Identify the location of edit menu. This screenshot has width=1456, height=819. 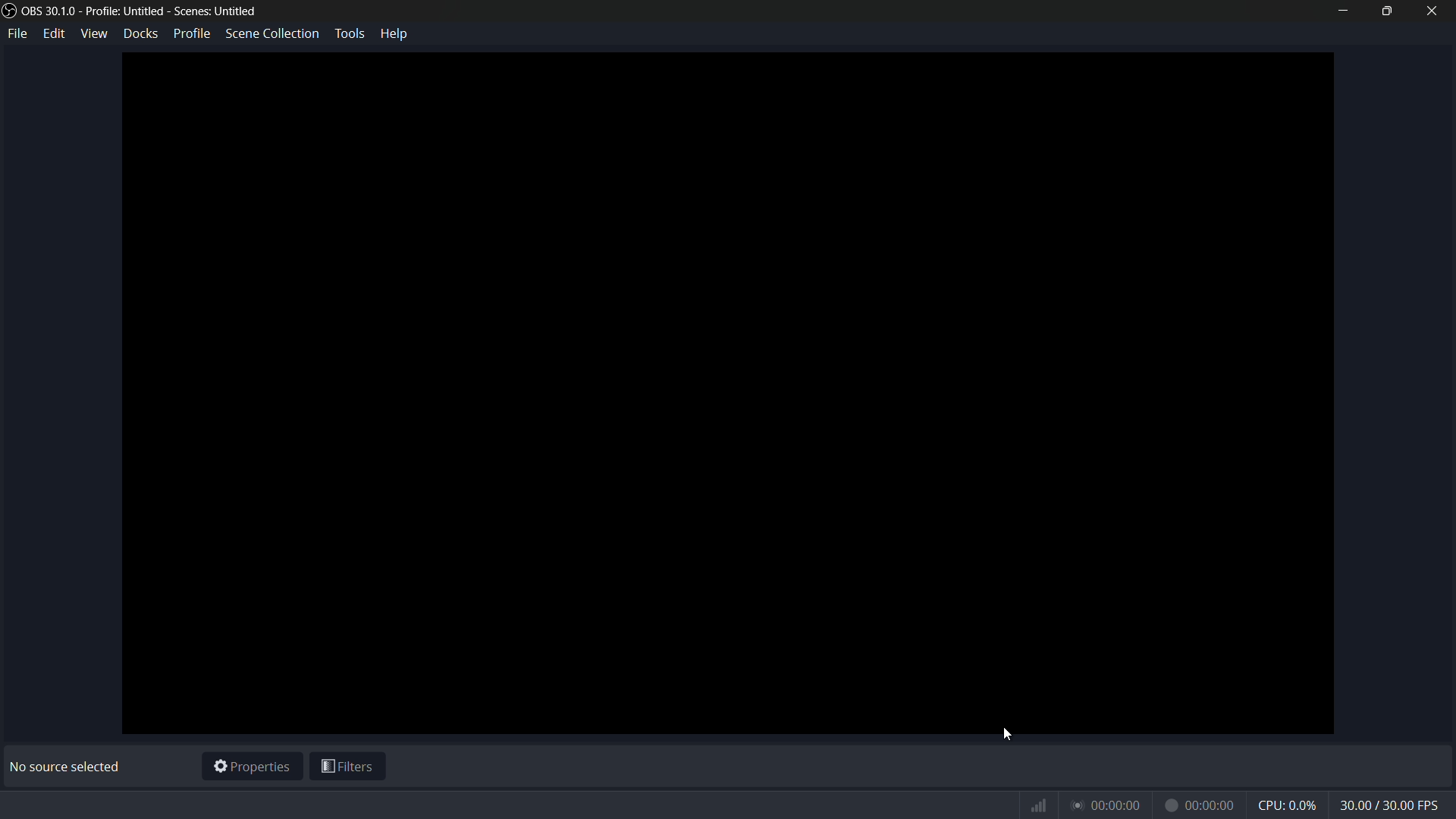
(56, 33).